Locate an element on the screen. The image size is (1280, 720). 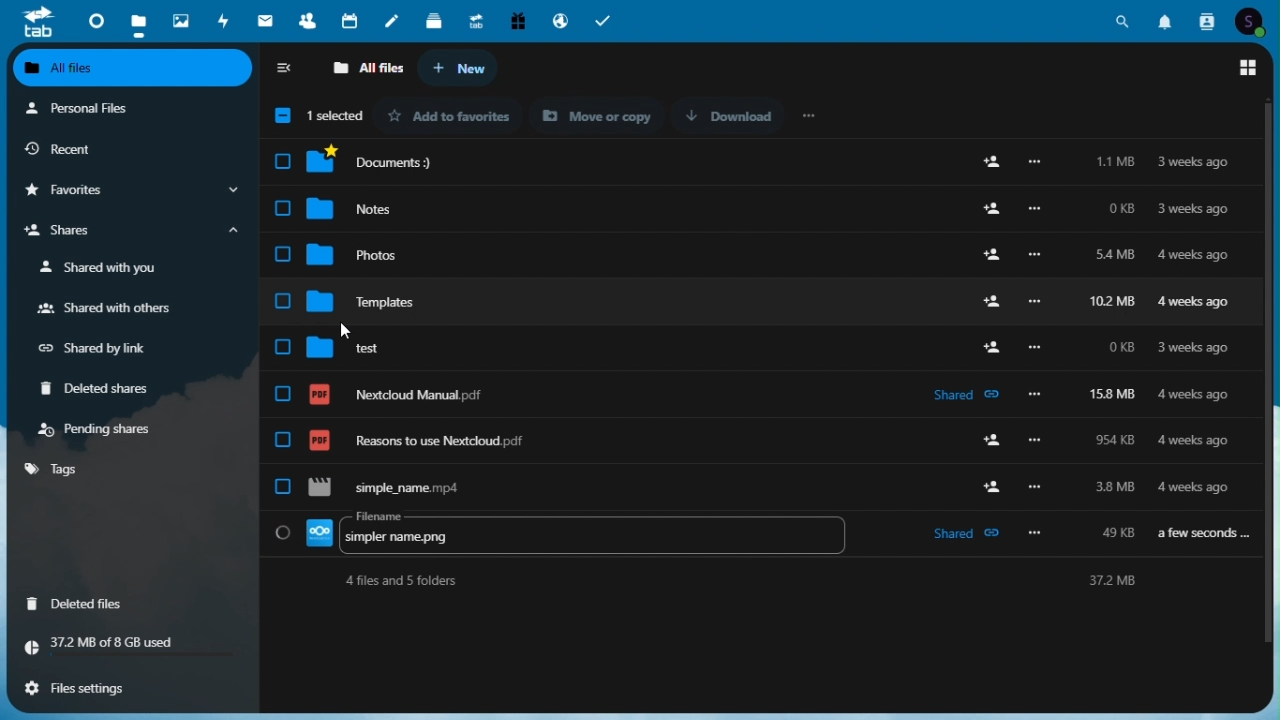
activity is located at coordinates (227, 20).